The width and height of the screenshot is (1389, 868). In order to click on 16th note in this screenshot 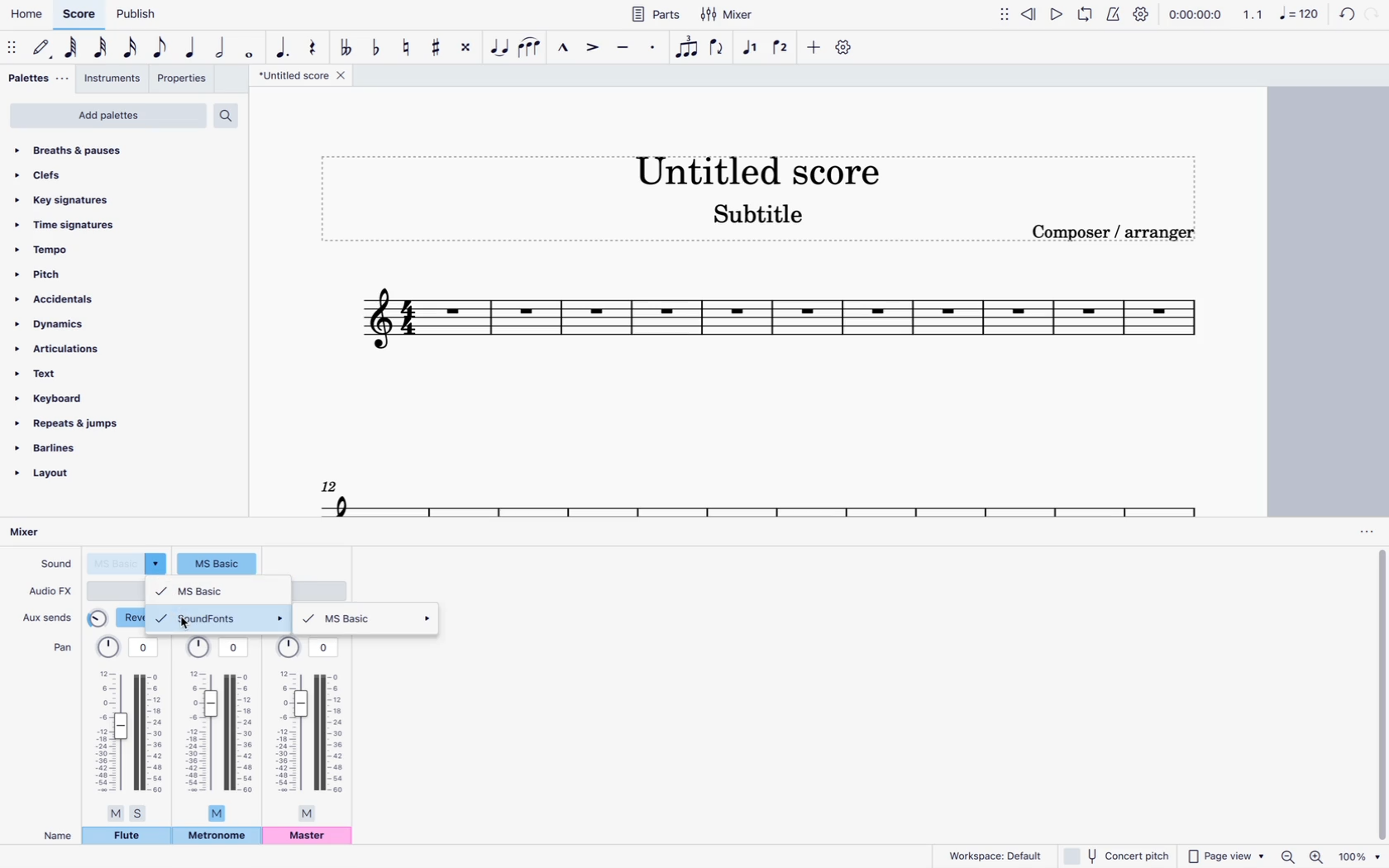, I will do `click(131, 50)`.